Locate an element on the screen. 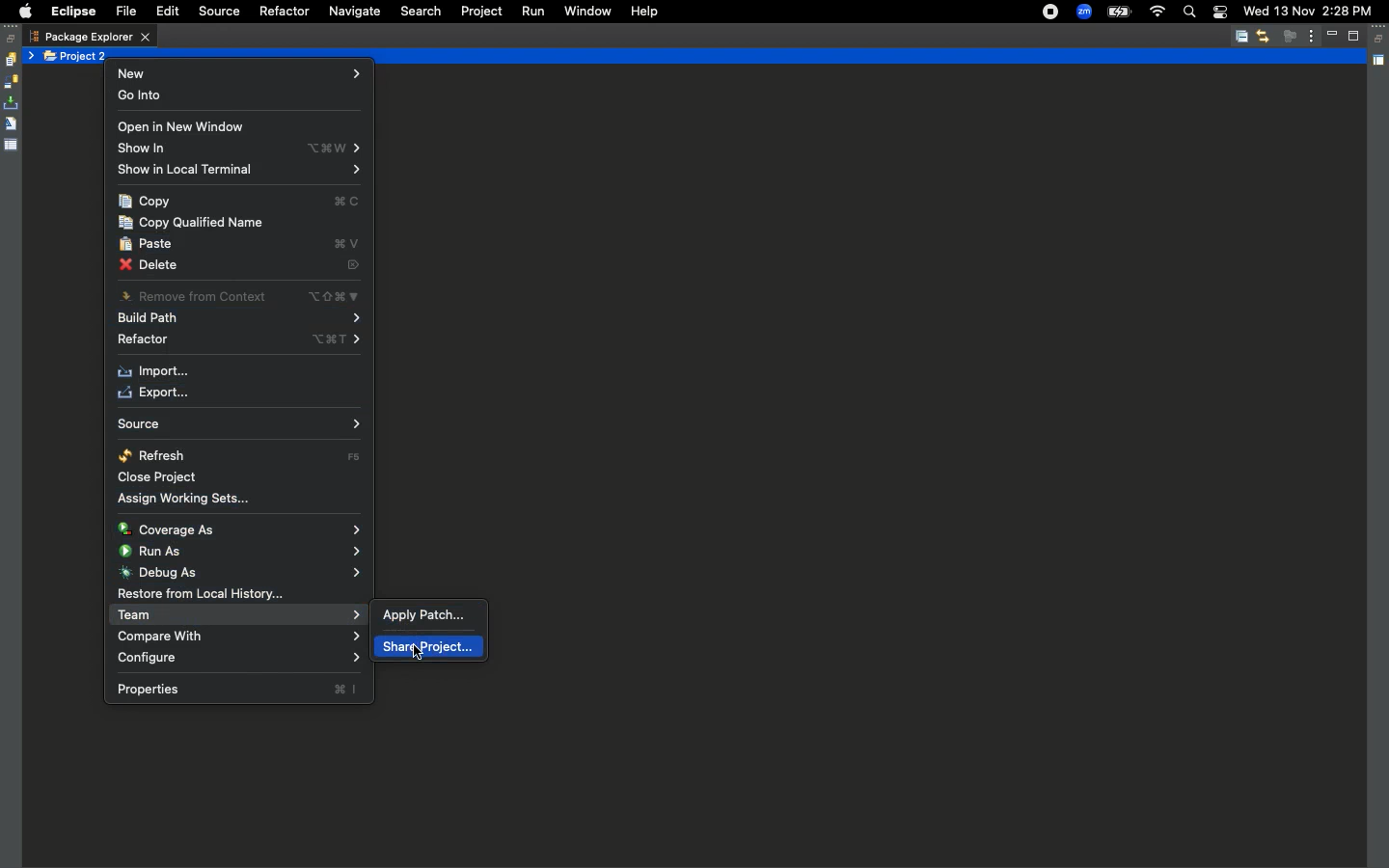 The height and width of the screenshot is (868, 1389). Focus on active task is located at coordinates (1290, 36).